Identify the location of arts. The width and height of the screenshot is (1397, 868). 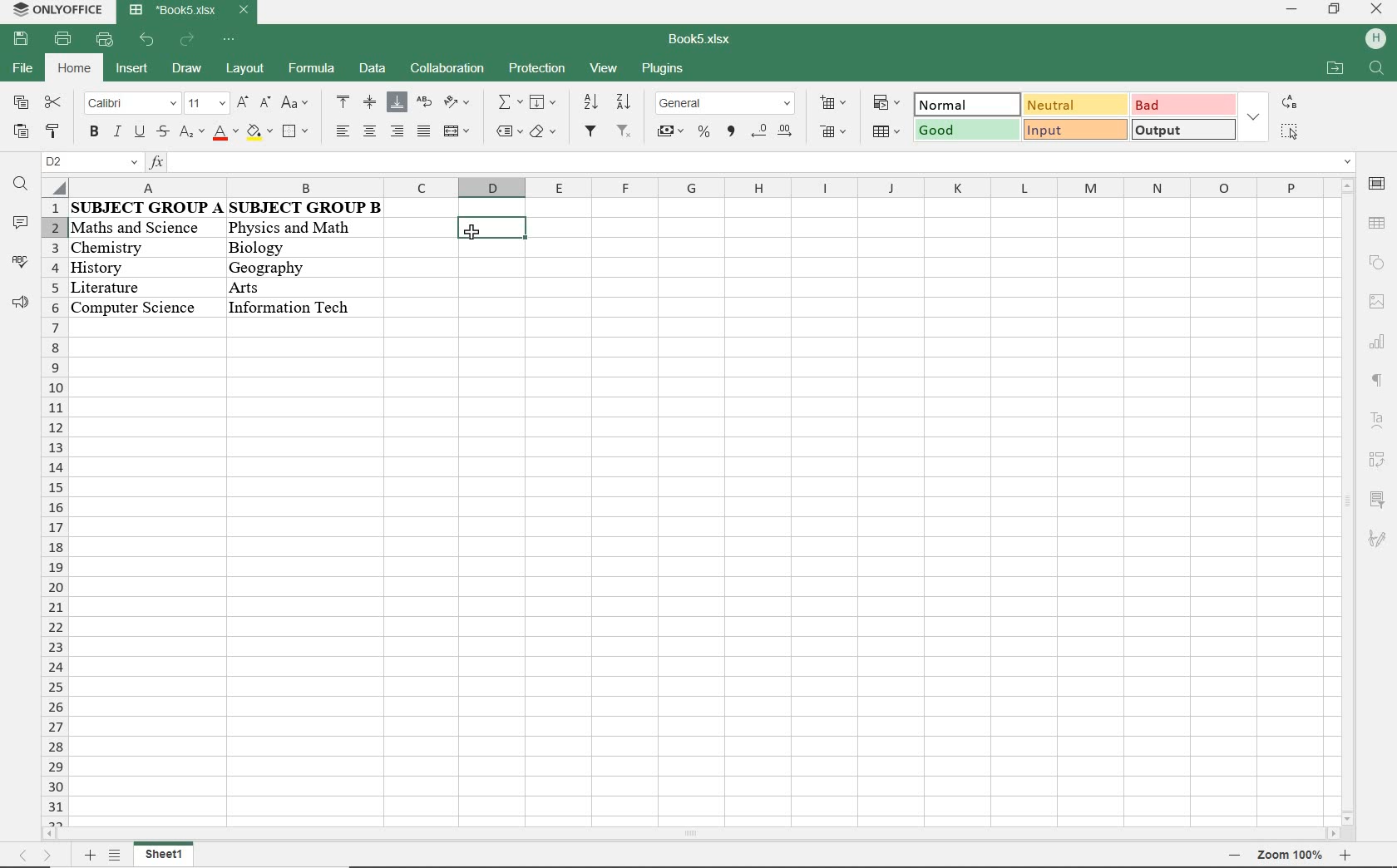
(284, 287).